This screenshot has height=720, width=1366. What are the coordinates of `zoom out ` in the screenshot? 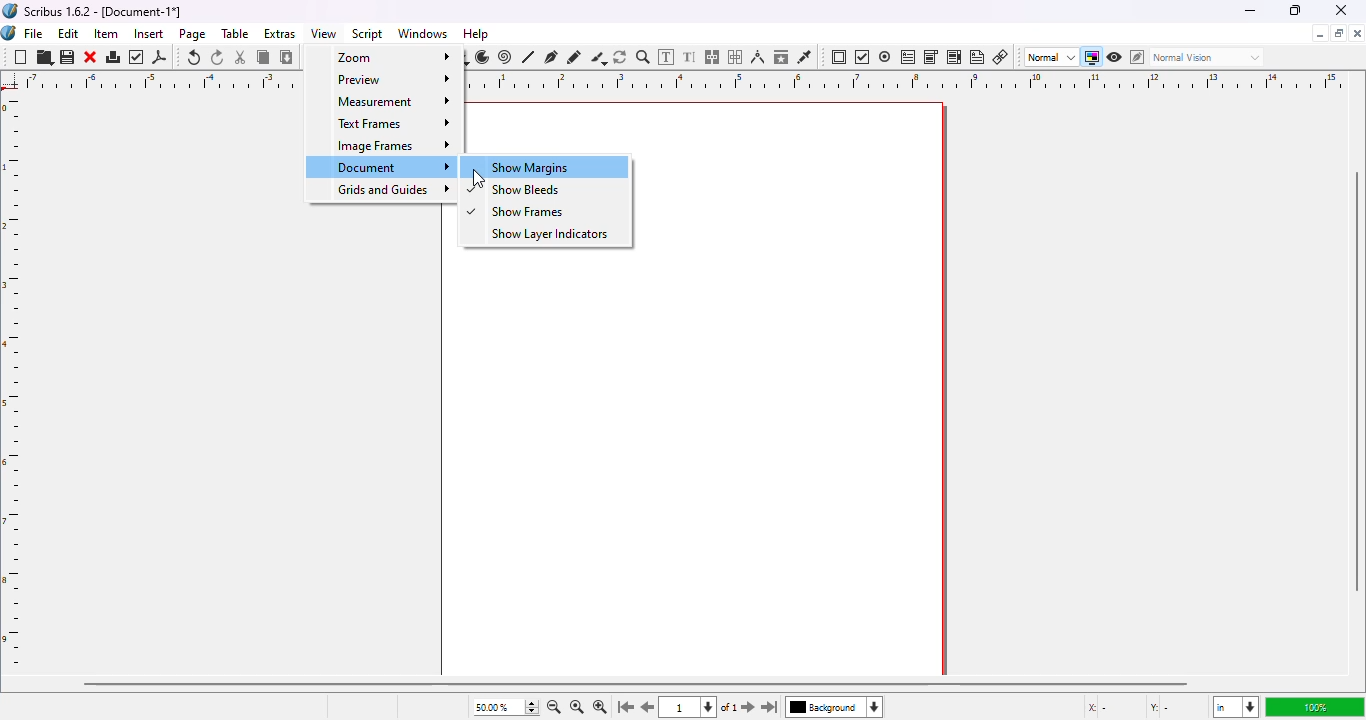 It's located at (553, 707).